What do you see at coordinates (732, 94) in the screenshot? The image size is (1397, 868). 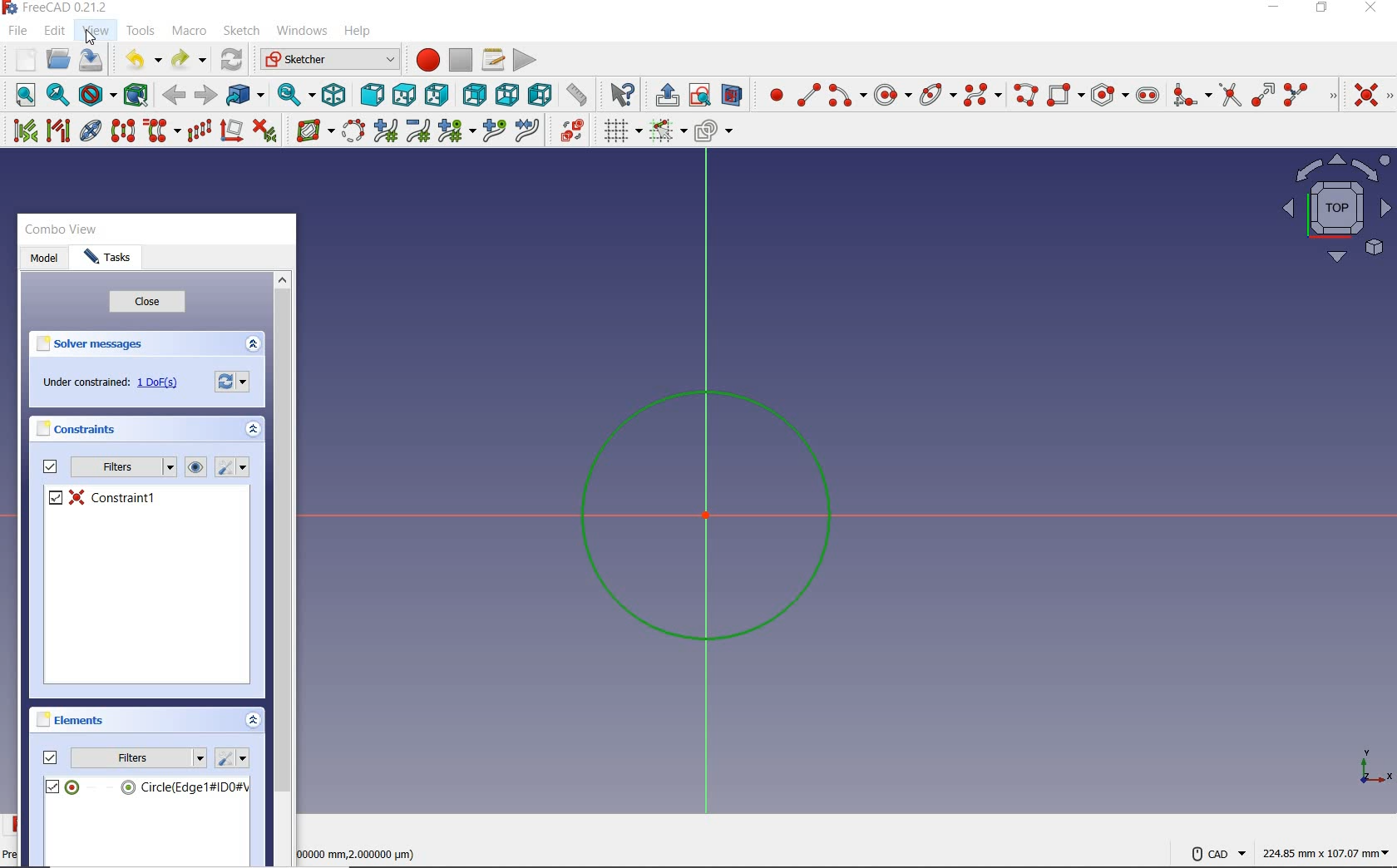 I see `view section` at bounding box center [732, 94].